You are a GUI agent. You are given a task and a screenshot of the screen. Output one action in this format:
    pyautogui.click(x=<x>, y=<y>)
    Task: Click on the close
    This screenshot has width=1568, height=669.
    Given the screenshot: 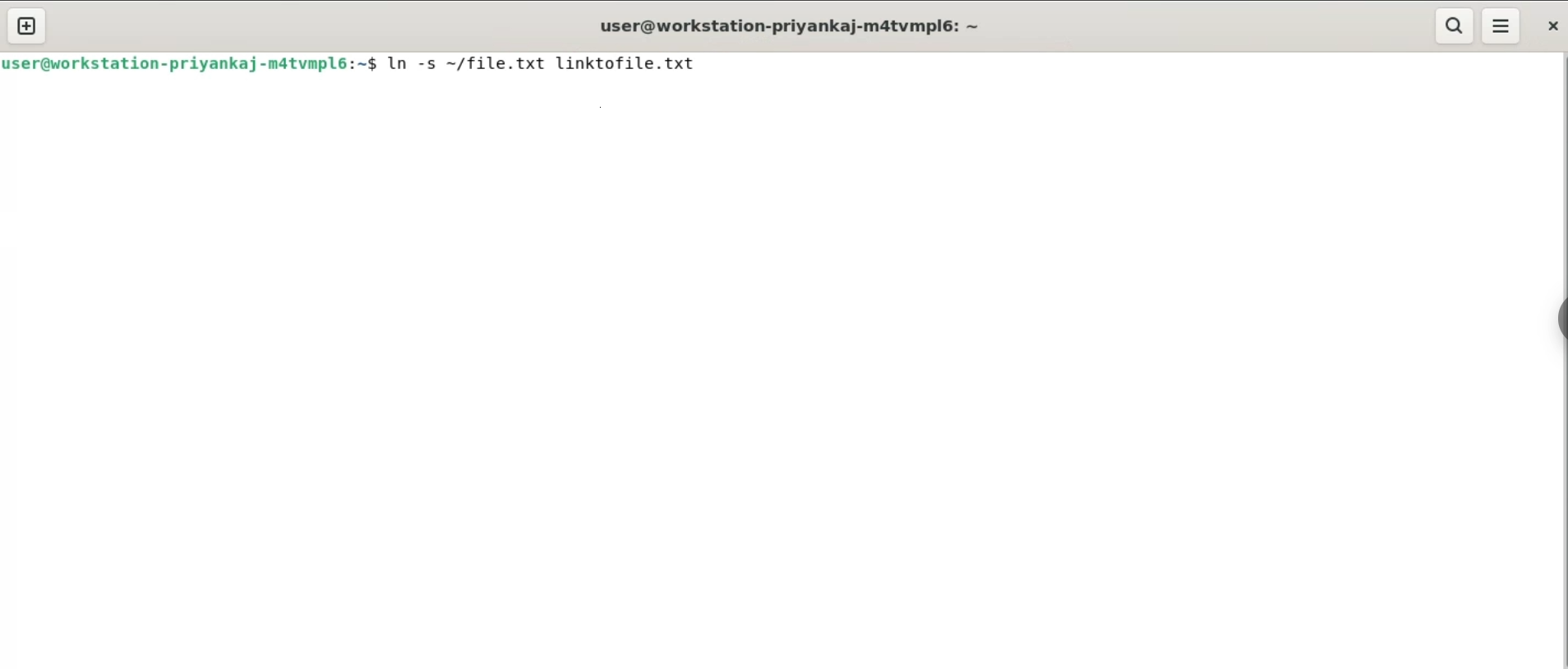 What is the action you would take?
    pyautogui.click(x=1552, y=25)
    